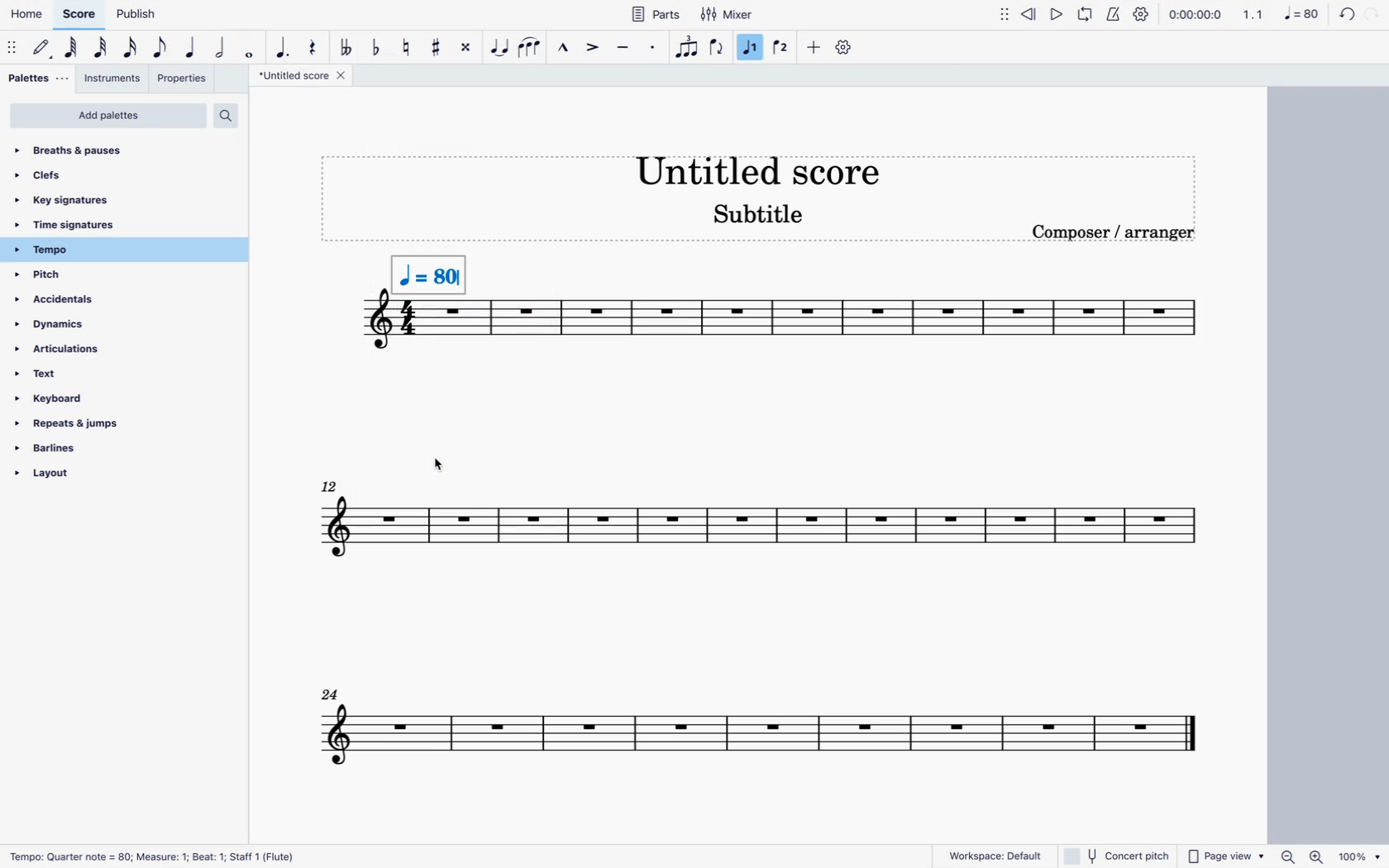 This screenshot has height=868, width=1389. What do you see at coordinates (449, 319) in the screenshot?
I see `selected score` at bounding box center [449, 319].